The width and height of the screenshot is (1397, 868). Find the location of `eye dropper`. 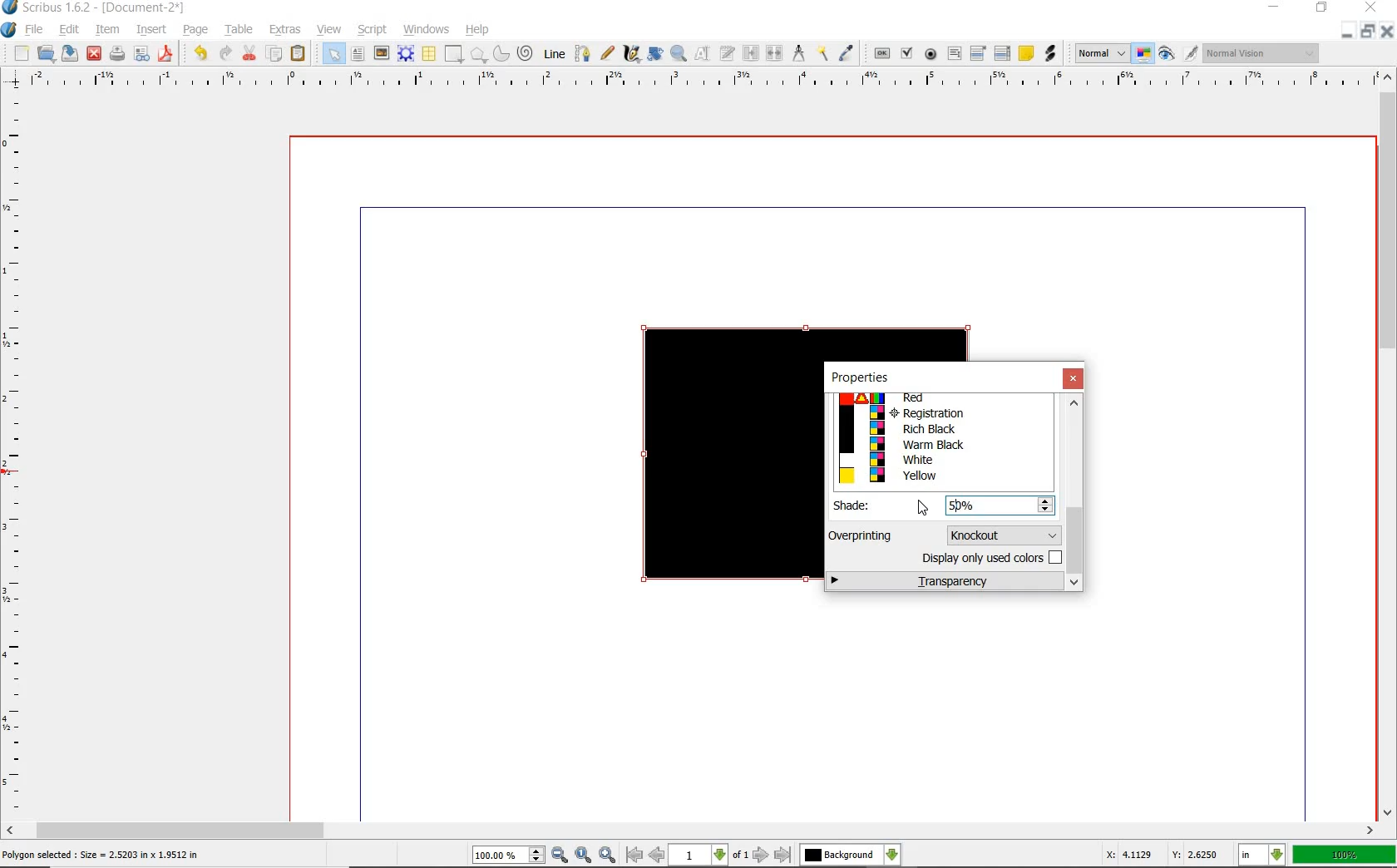

eye dropper is located at coordinates (848, 52).